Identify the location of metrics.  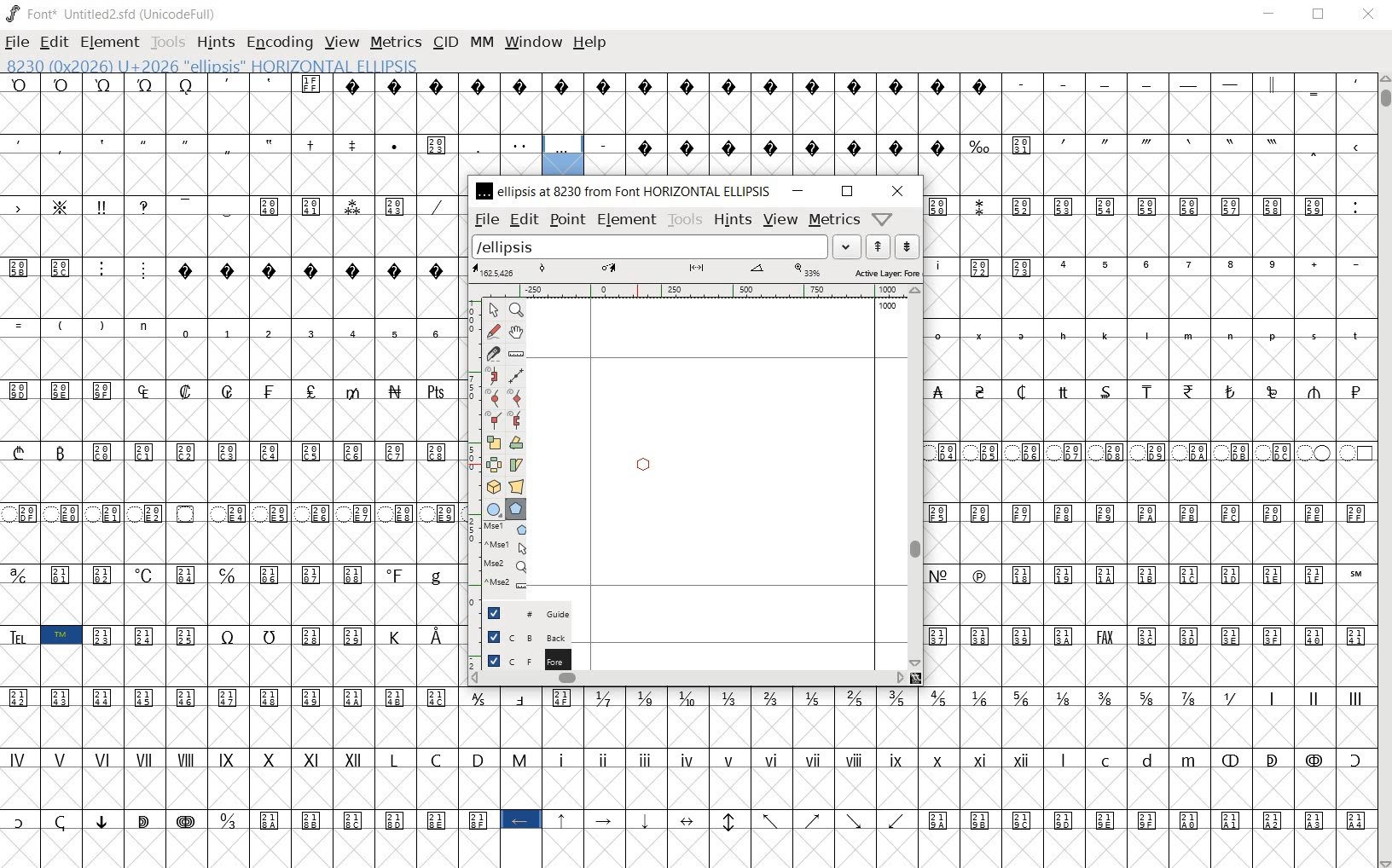
(832, 222).